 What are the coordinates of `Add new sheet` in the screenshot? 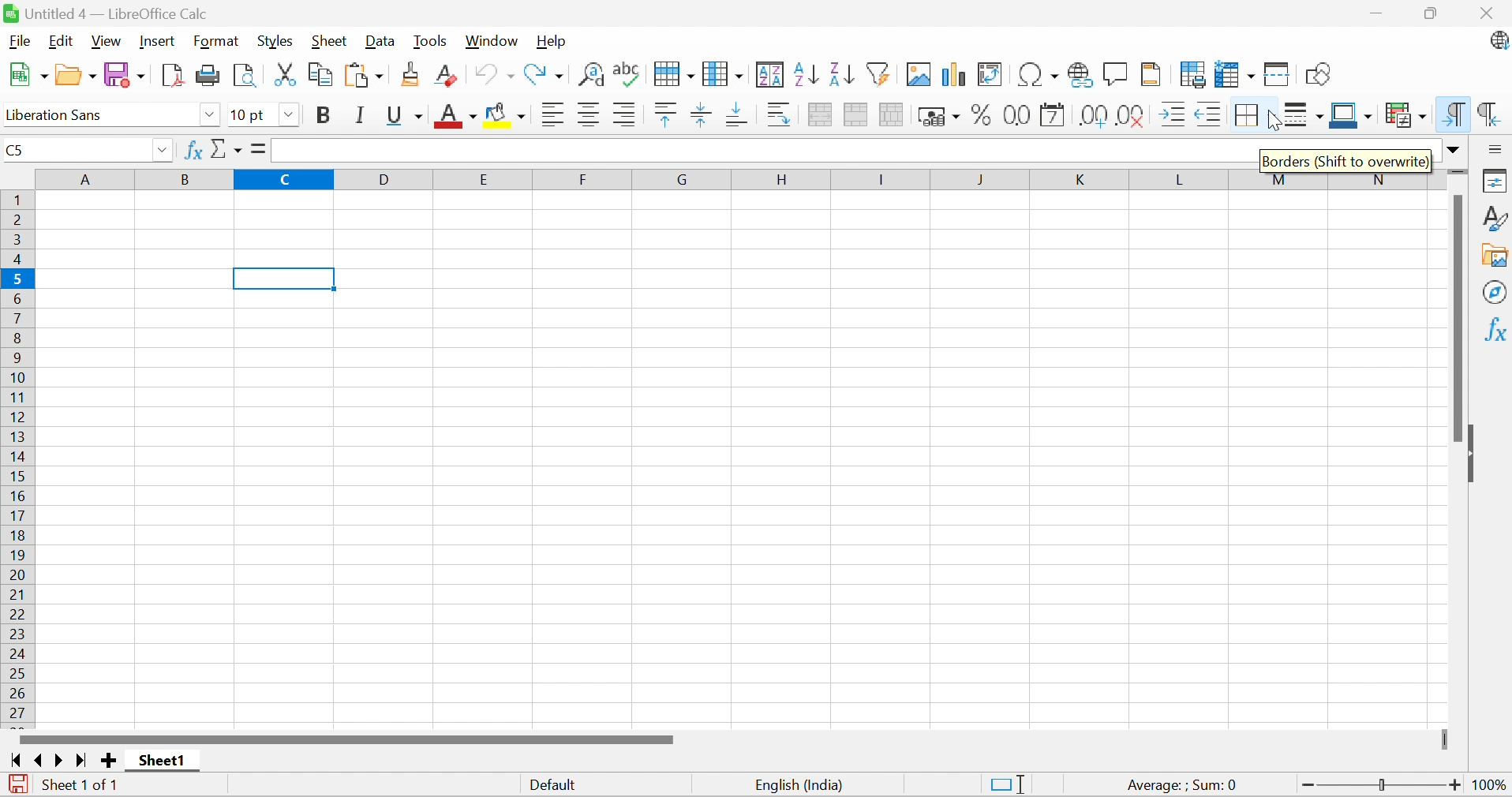 It's located at (110, 759).